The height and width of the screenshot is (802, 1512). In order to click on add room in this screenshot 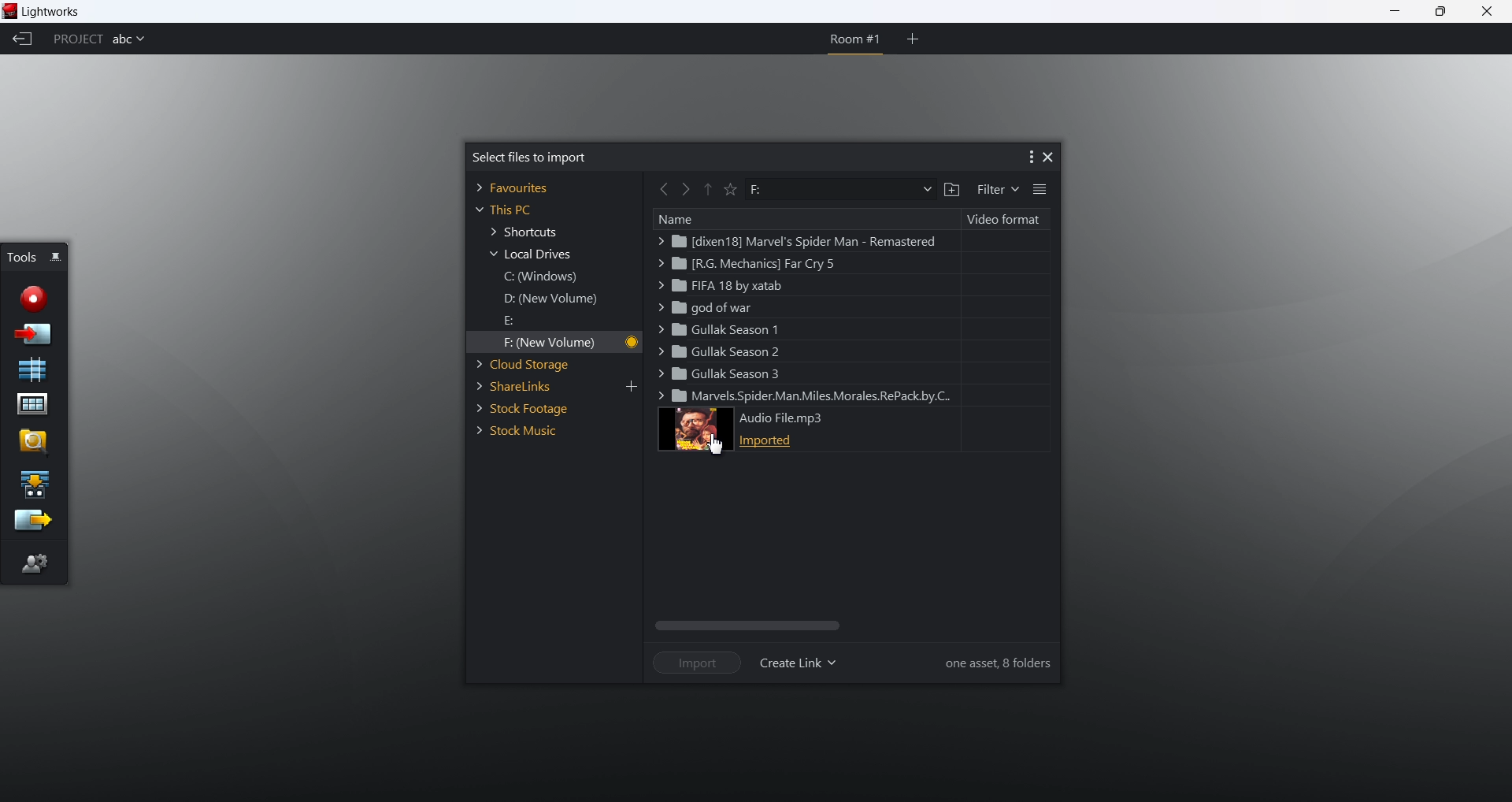, I will do `click(913, 39)`.